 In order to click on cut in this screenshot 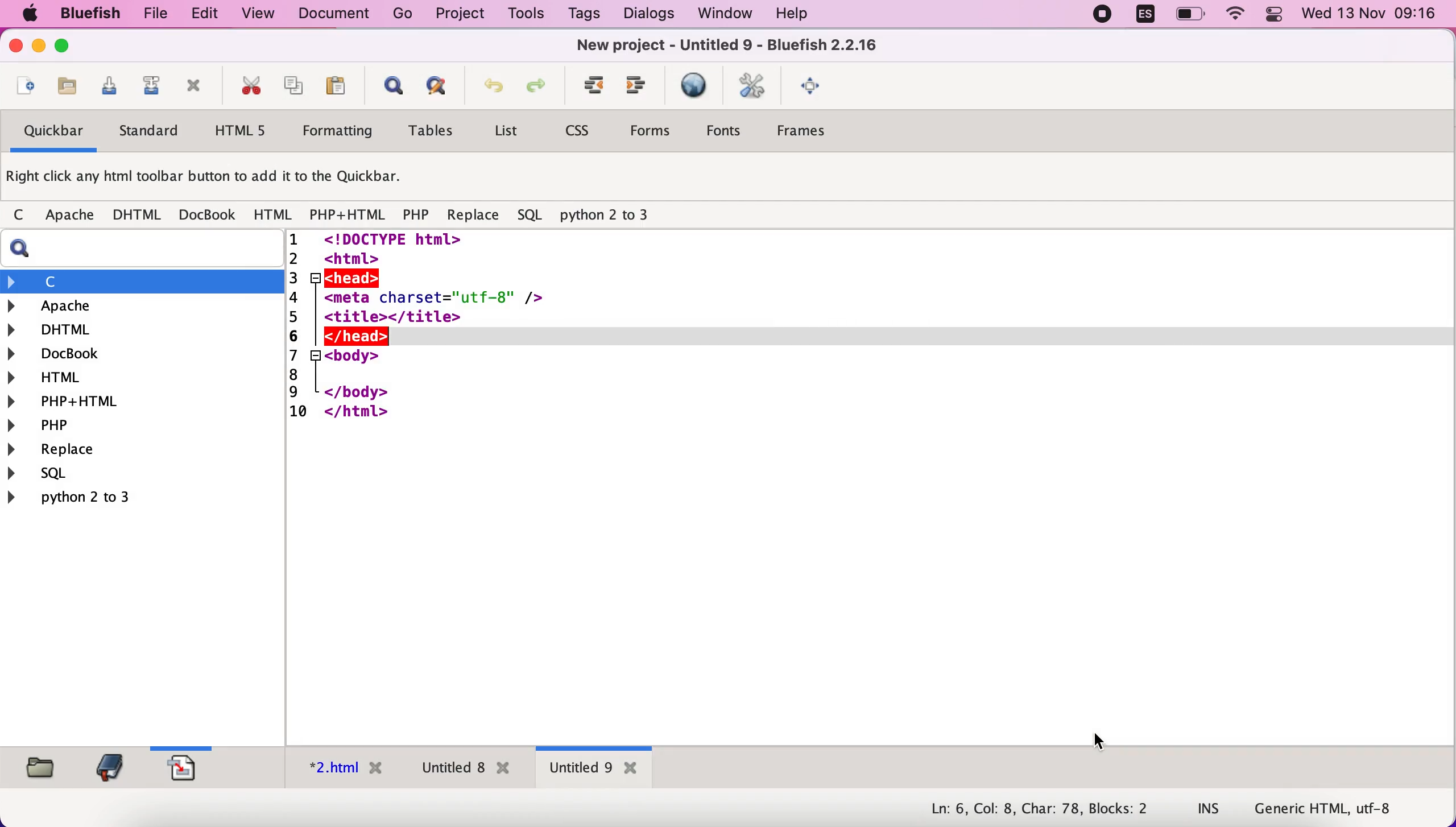, I will do `click(247, 88)`.